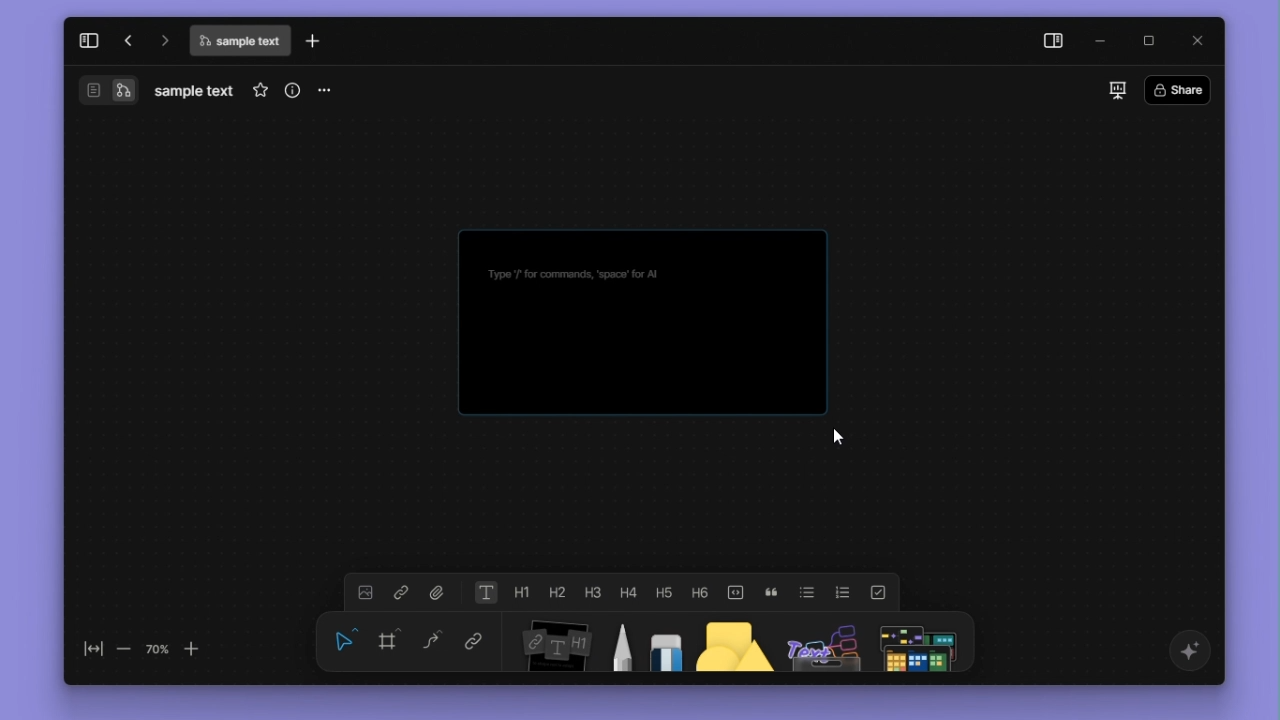 Image resolution: width=1280 pixels, height=720 pixels. I want to click on go back, so click(126, 40).